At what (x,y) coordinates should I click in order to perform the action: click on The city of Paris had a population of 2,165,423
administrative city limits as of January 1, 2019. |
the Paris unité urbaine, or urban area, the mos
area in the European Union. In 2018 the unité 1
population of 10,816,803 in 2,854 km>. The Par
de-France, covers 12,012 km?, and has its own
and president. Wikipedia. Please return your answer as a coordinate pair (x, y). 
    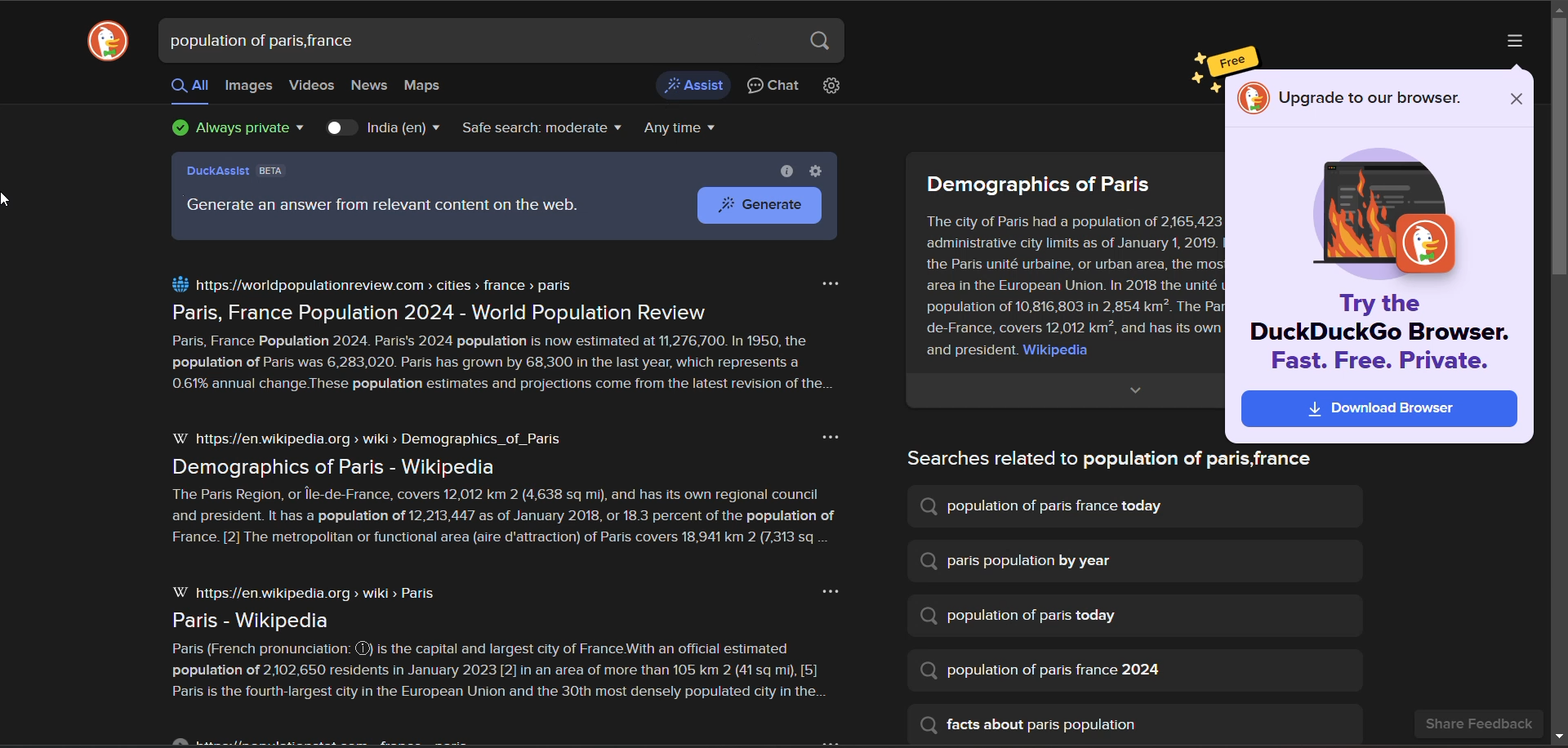
    Looking at the image, I should click on (1067, 287).